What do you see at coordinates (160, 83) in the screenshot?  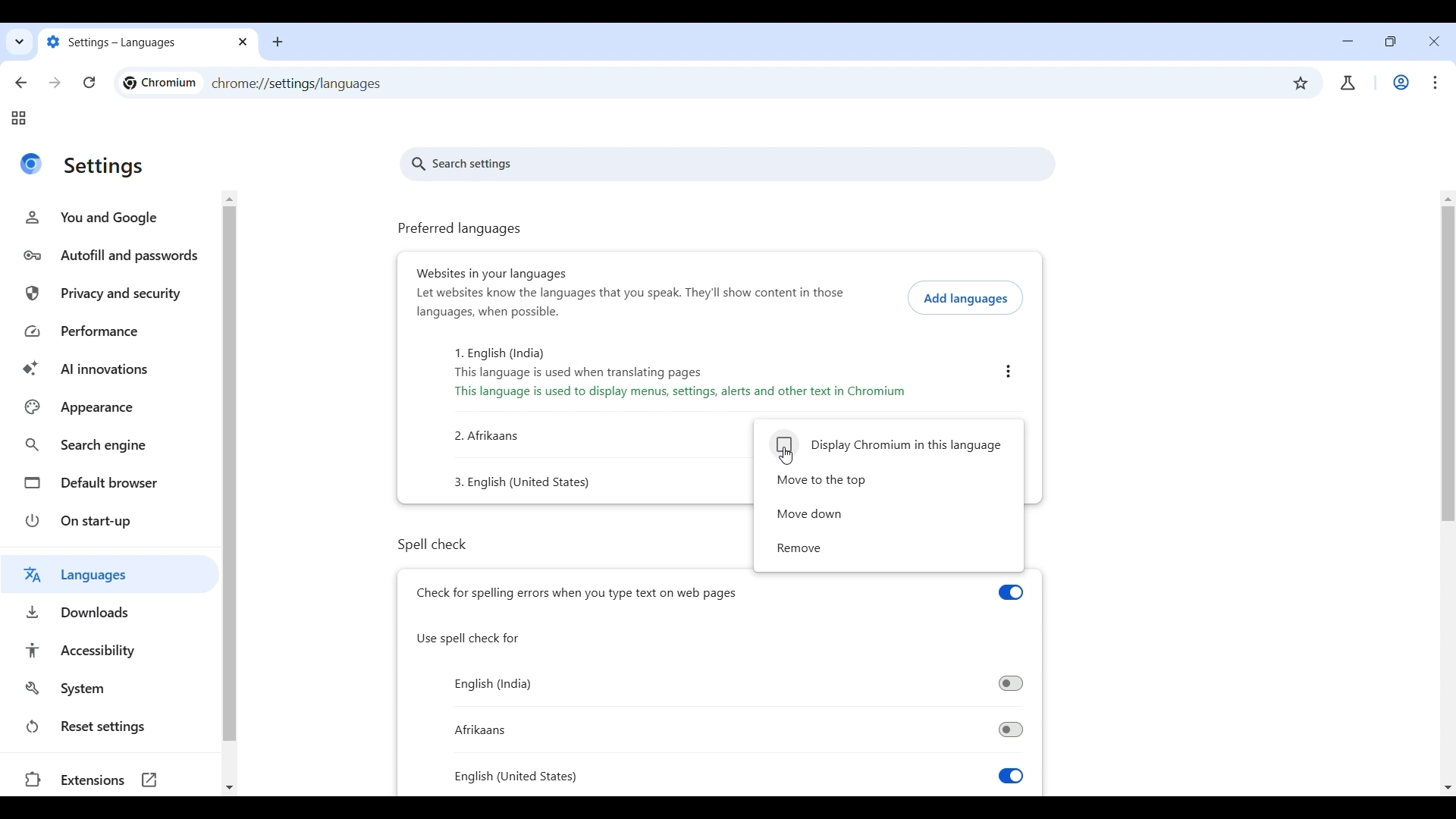 I see `Logo and name of current site` at bounding box center [160, 83].